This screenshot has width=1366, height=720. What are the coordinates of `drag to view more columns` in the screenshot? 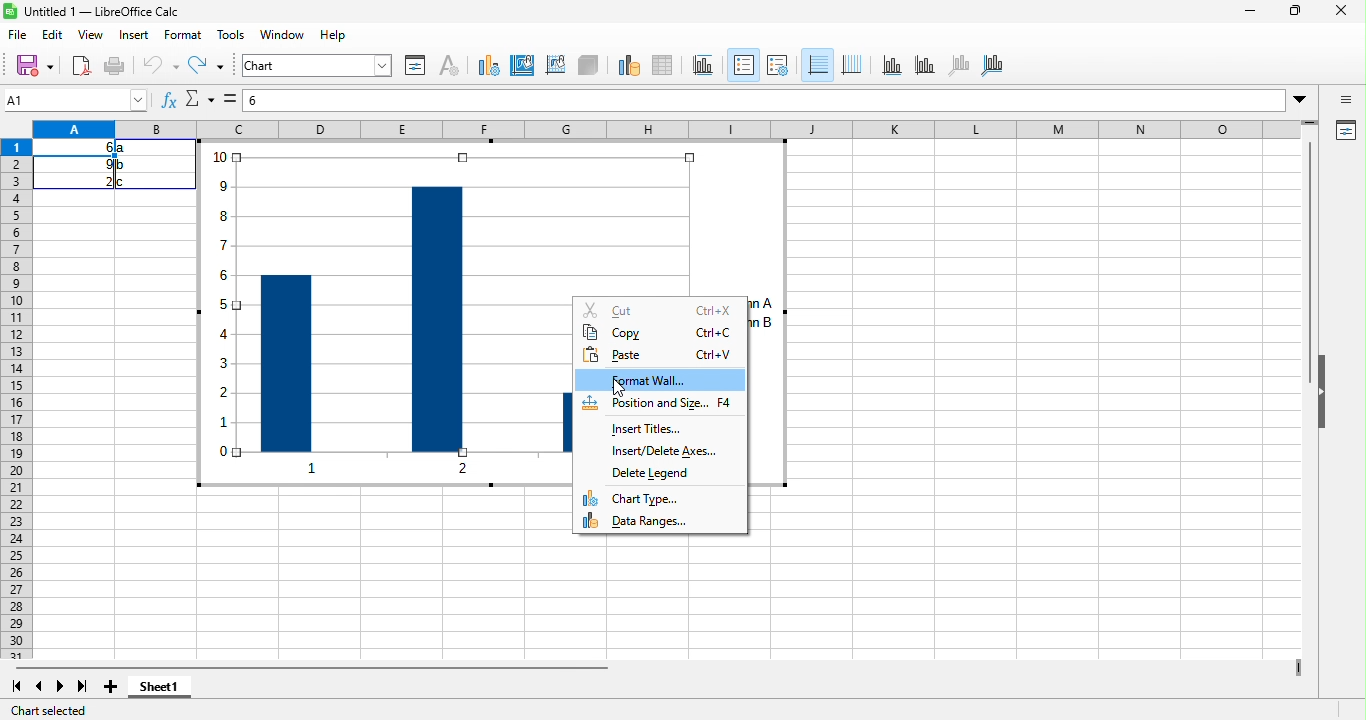 It's located at (1293, 663).